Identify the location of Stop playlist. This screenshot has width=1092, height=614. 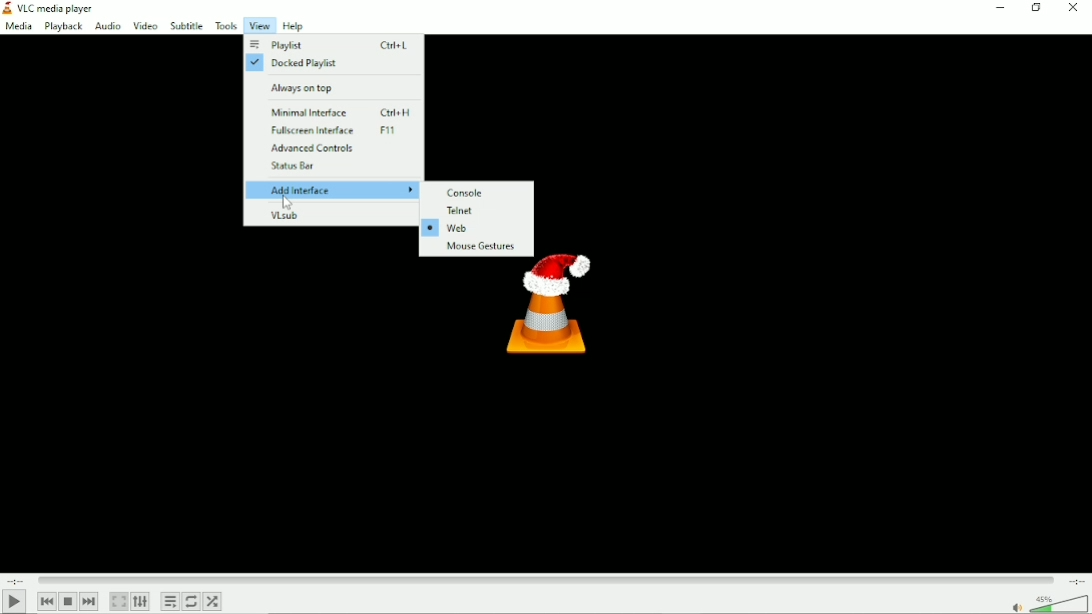
(67, 602).